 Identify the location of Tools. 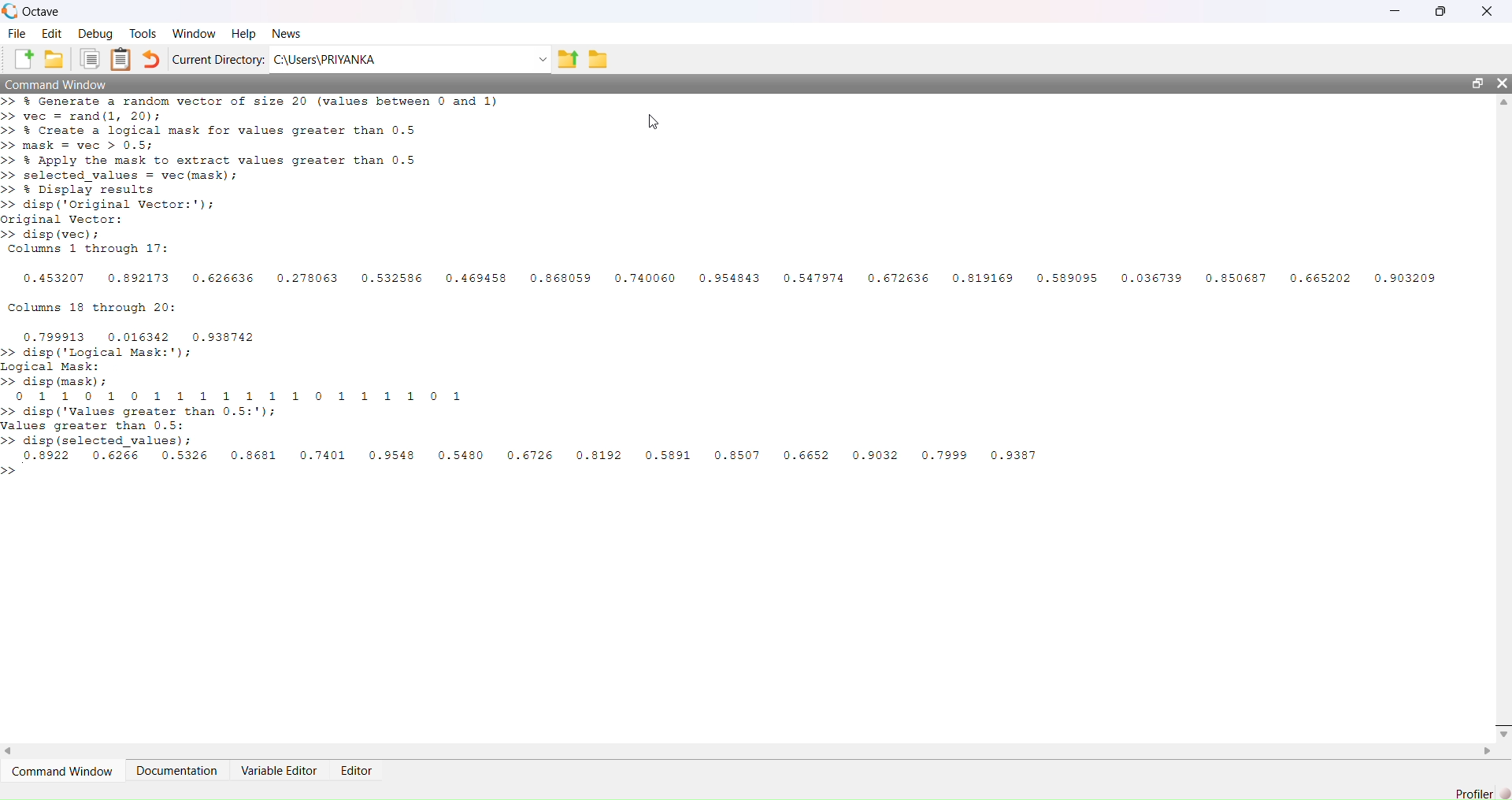
(146, 34).